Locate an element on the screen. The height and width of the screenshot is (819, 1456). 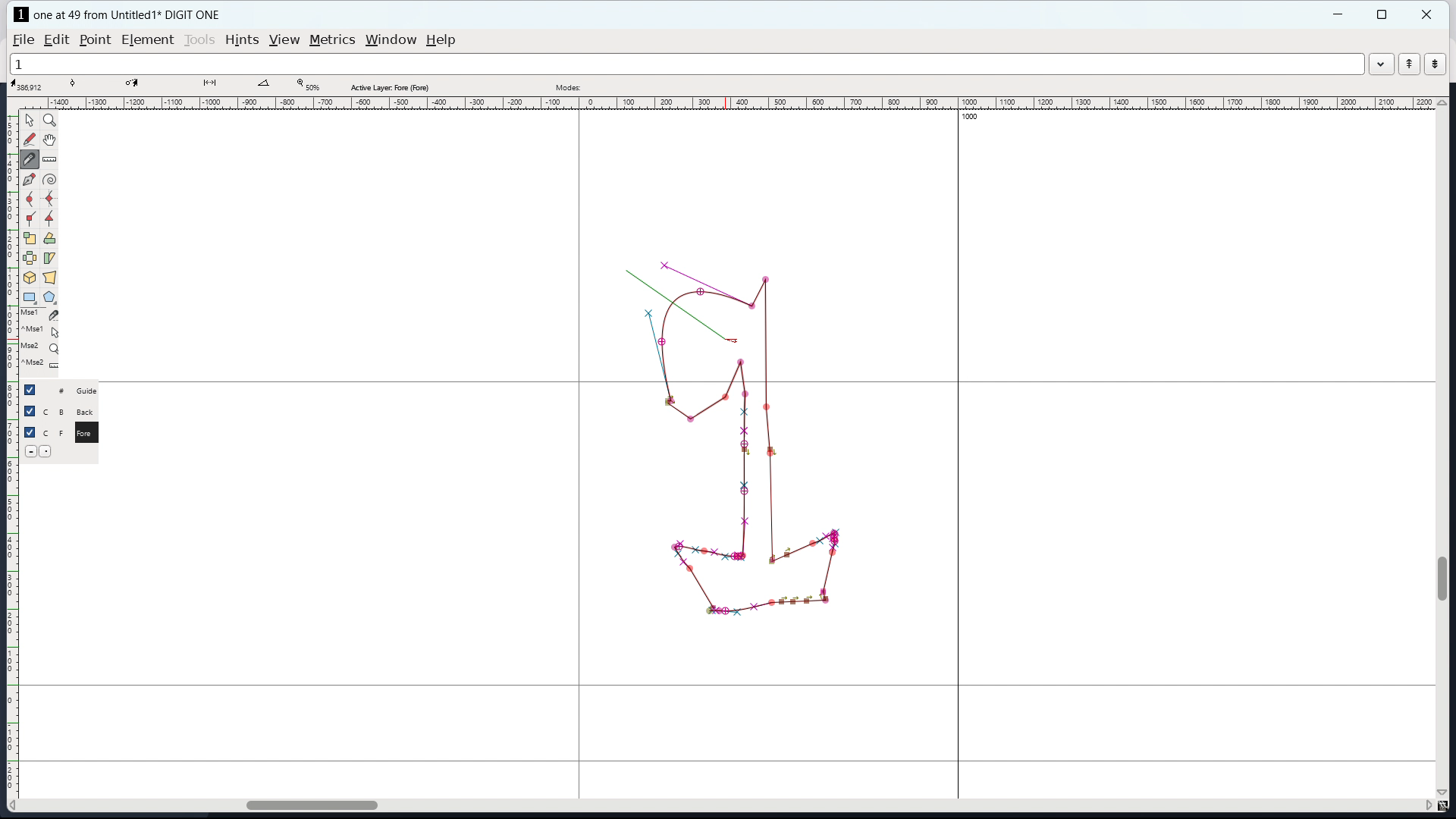
scroll down is located at coordinates (1443, 792).